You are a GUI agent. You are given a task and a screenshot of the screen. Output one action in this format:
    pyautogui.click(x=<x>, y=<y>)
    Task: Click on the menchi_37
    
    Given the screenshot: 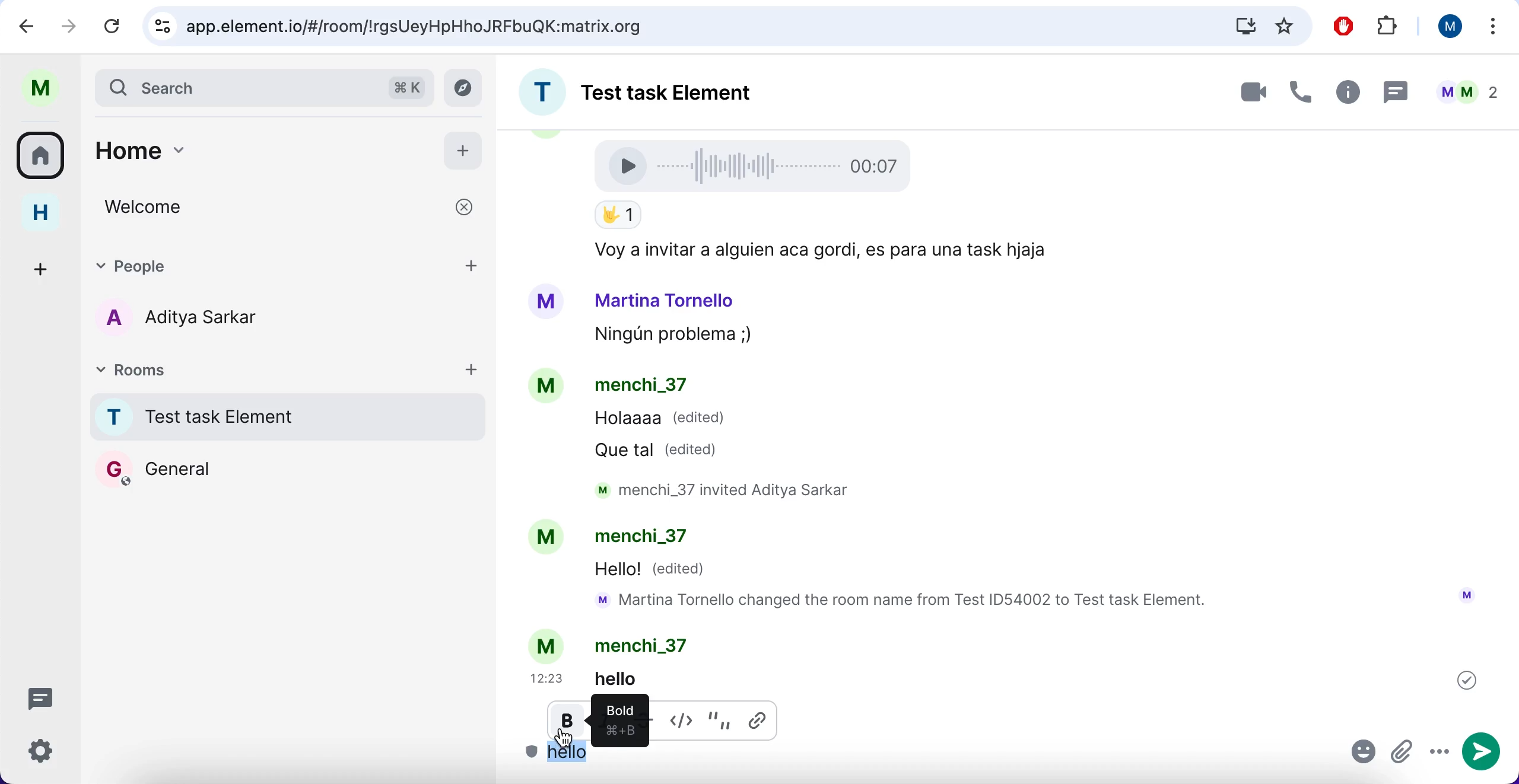 What is the action you would take?
    pyautogui.click(x=651, y=539)
    